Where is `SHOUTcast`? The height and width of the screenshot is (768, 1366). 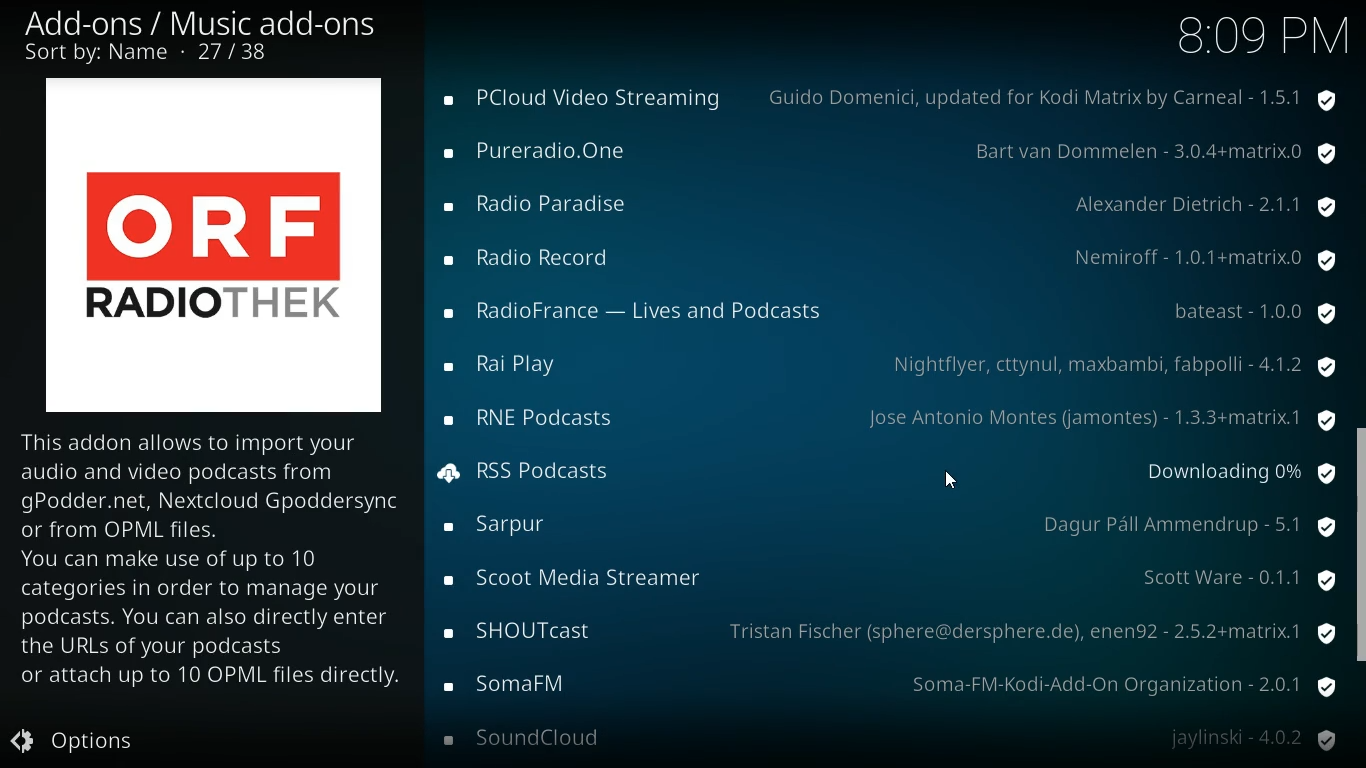
SHOUTcast is located at coordinates (519, 631).